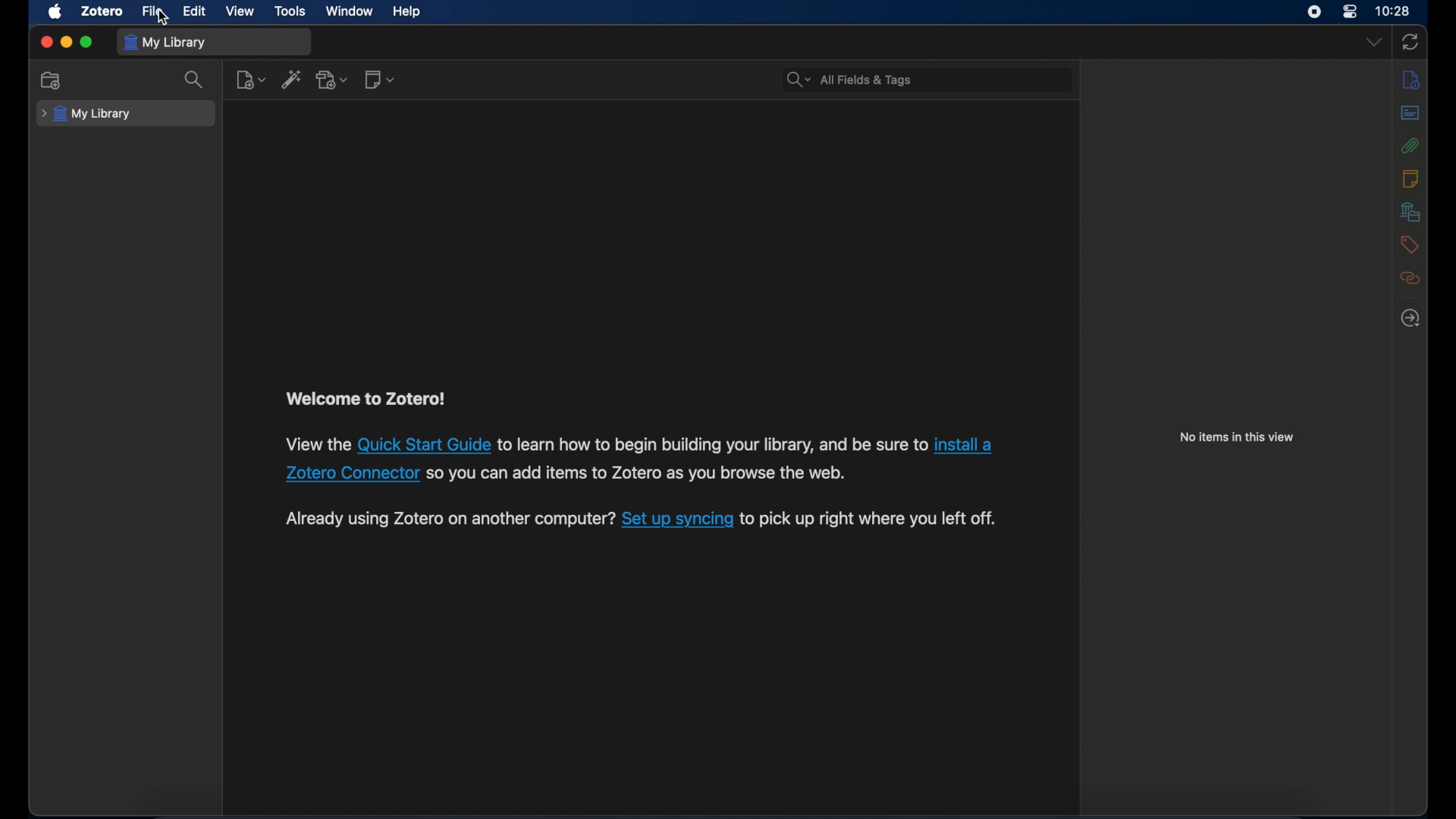 Image resolution: width=1456 pixels, height=819 pixels. I want to click on link, so click(638, 474).